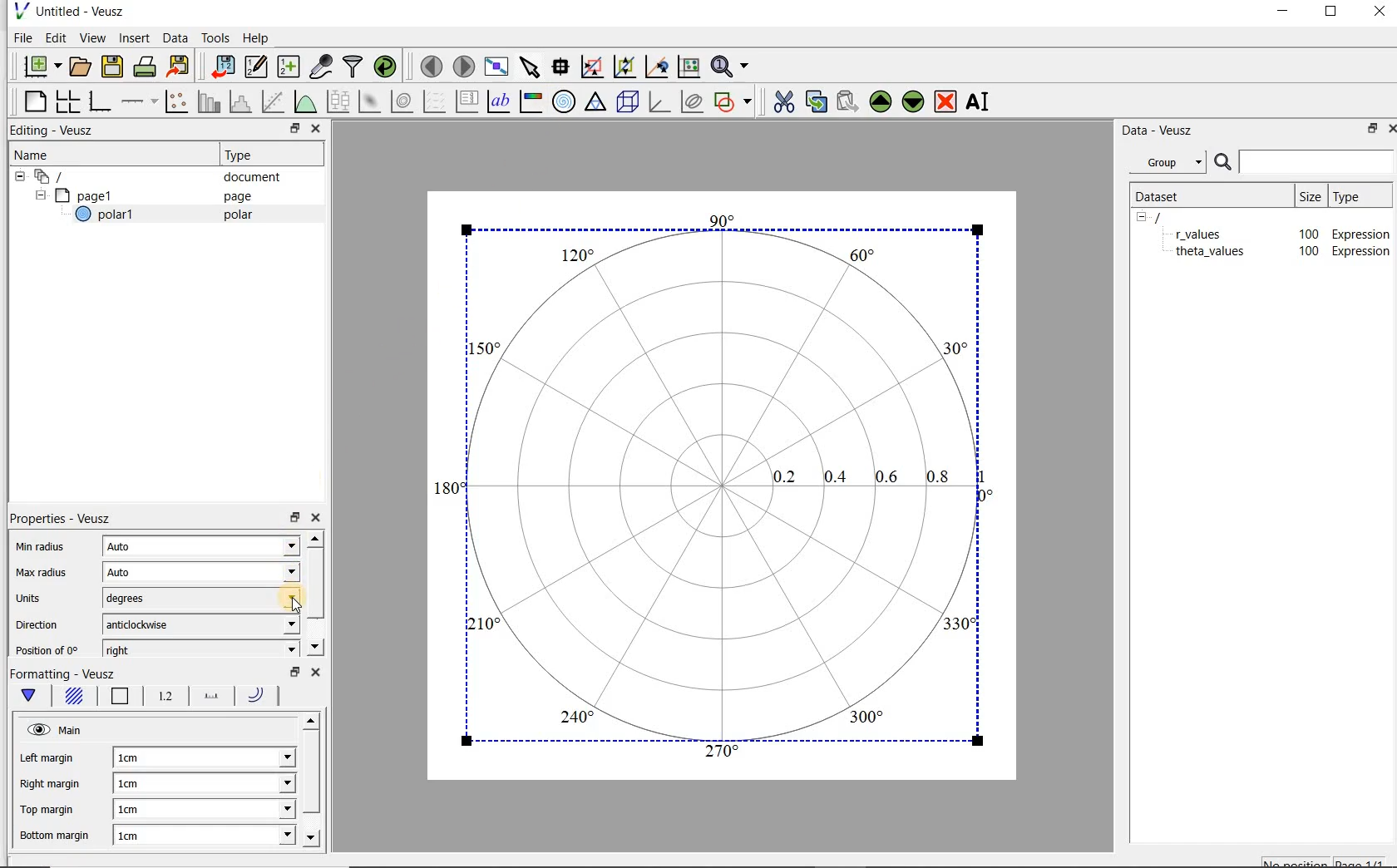 The image size is (1397, 868). Describe the element at coordinates (734, 100) in the screenshot. I see `add a shape to the plot` at that location.